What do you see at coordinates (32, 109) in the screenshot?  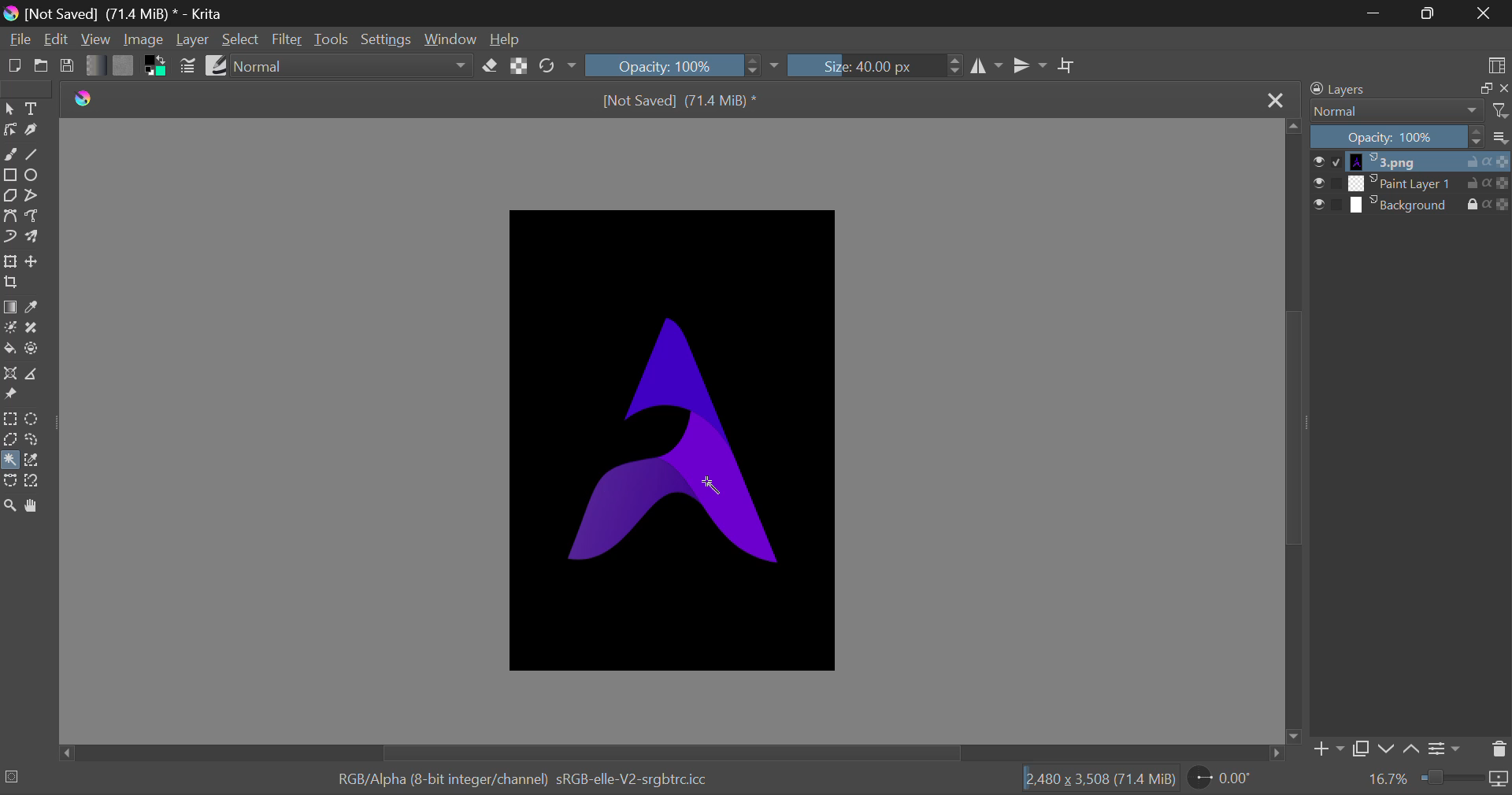 I see `Text` at bounding box center [32, 109].